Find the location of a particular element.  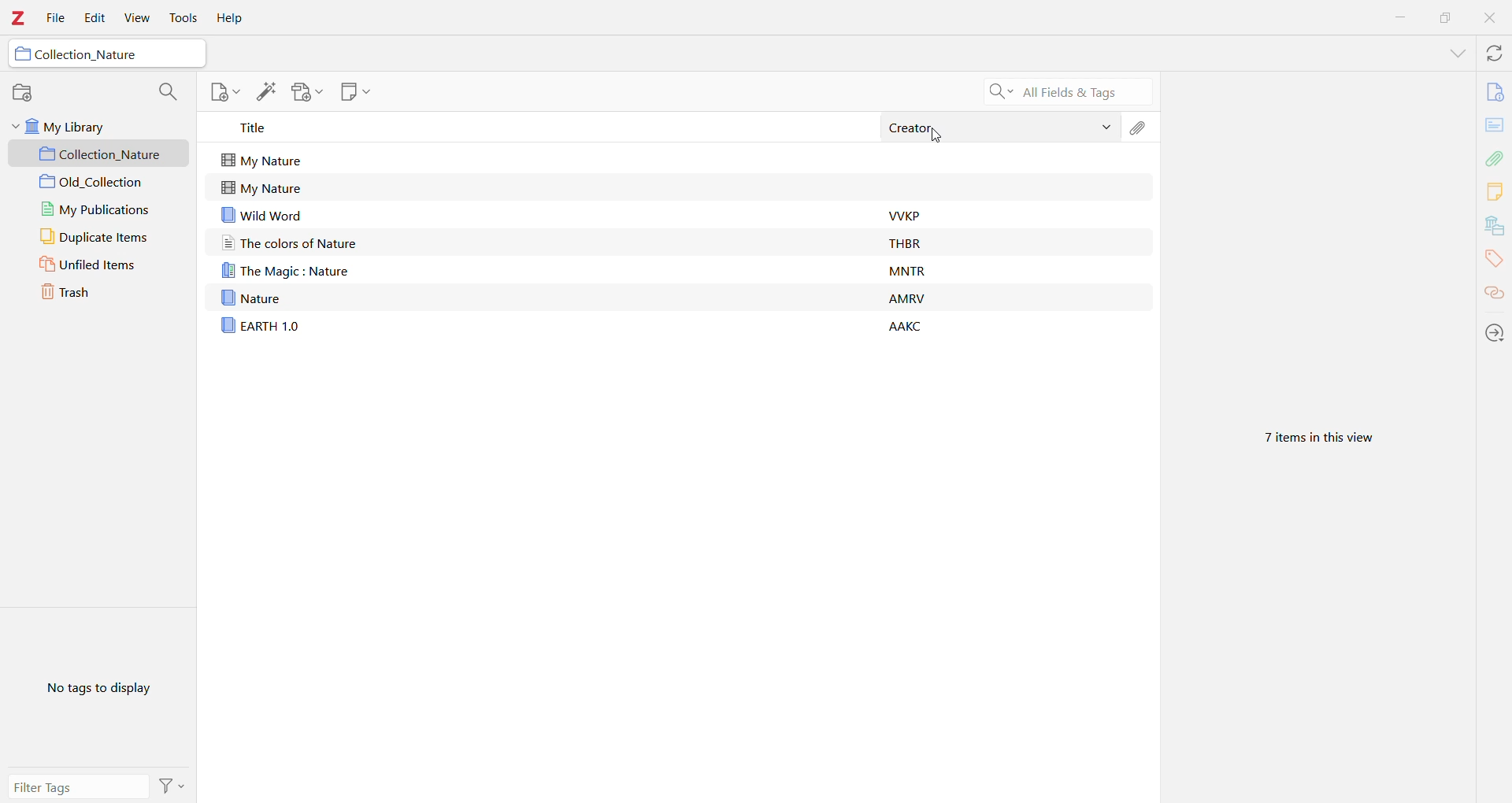

Unfiled Items is located at coordinates (103, 265).